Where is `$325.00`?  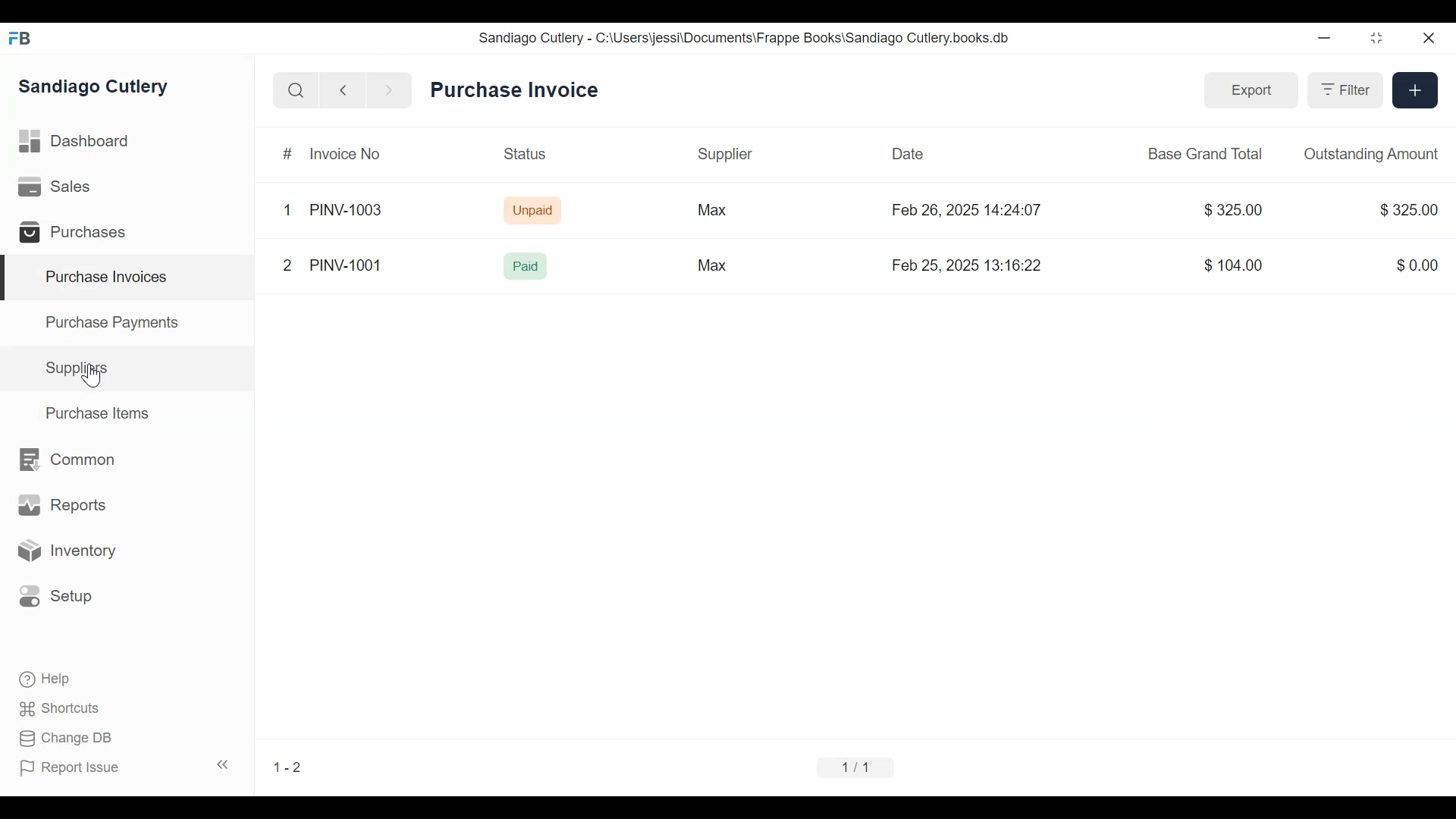
$325.00 is located at coordinates (1404, 210).